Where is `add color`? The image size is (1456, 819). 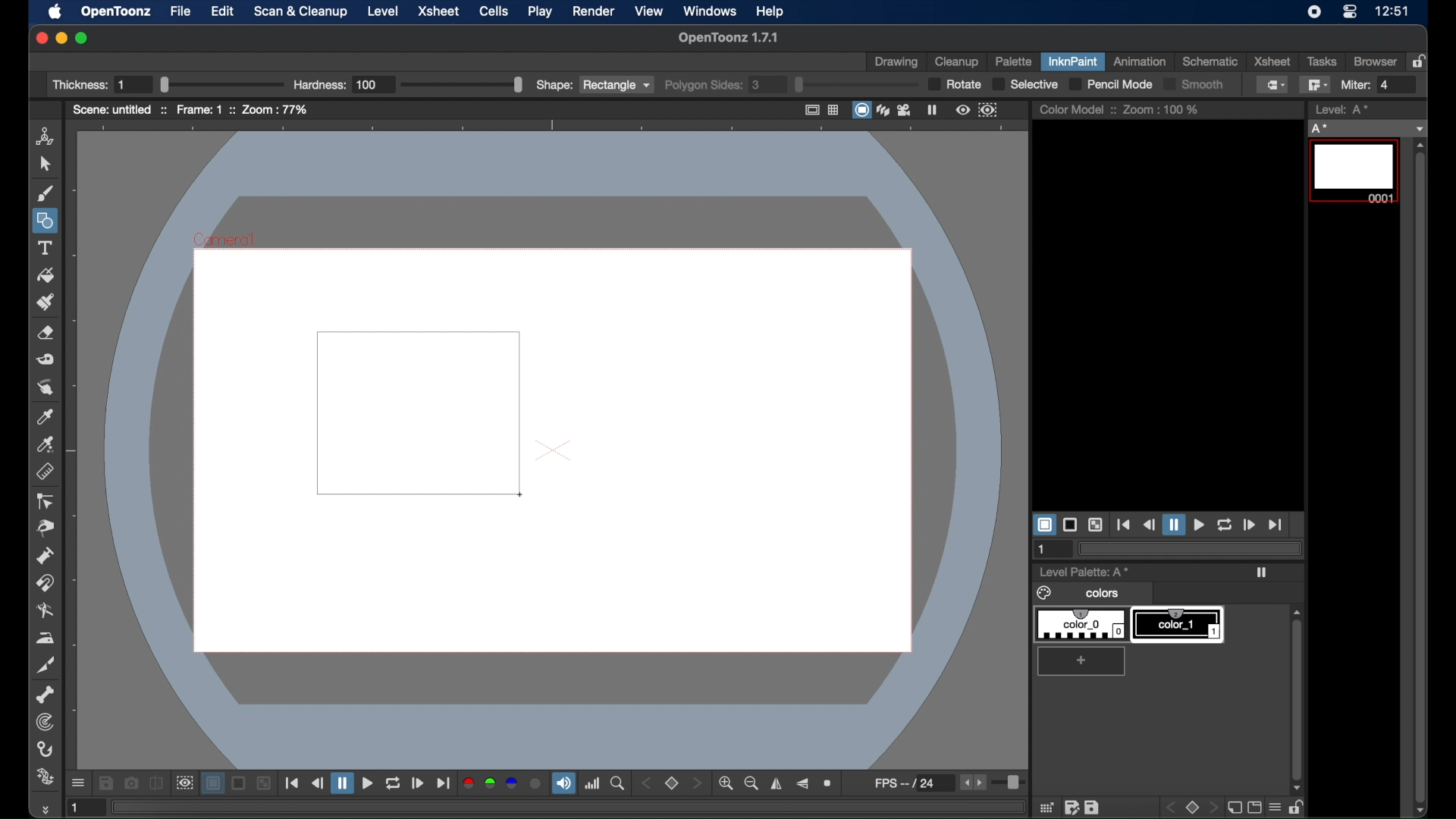
add color is located at coordinates (1083, 661).